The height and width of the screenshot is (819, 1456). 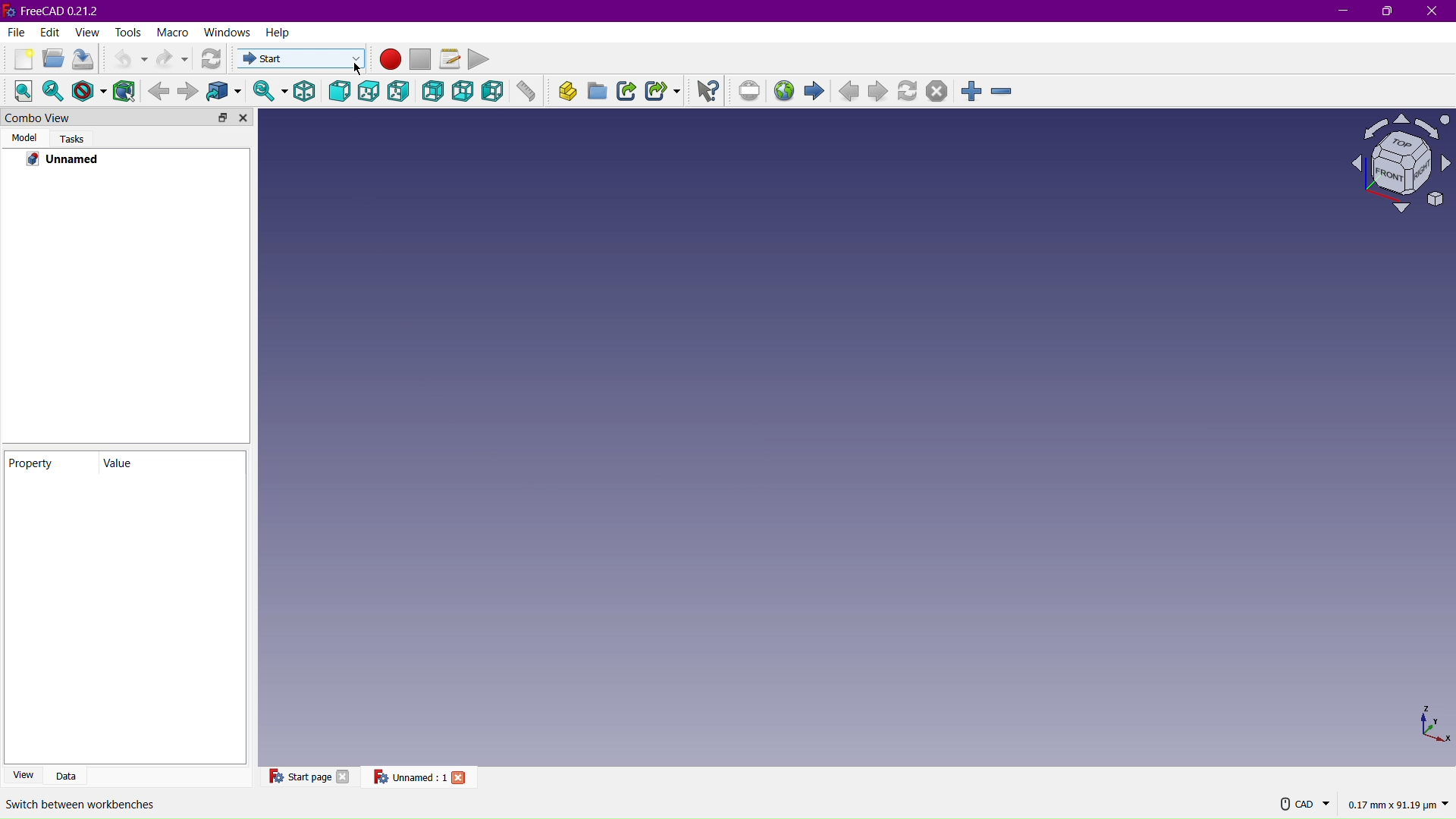 I want to click on Backwards, so click(x=158, y=90).